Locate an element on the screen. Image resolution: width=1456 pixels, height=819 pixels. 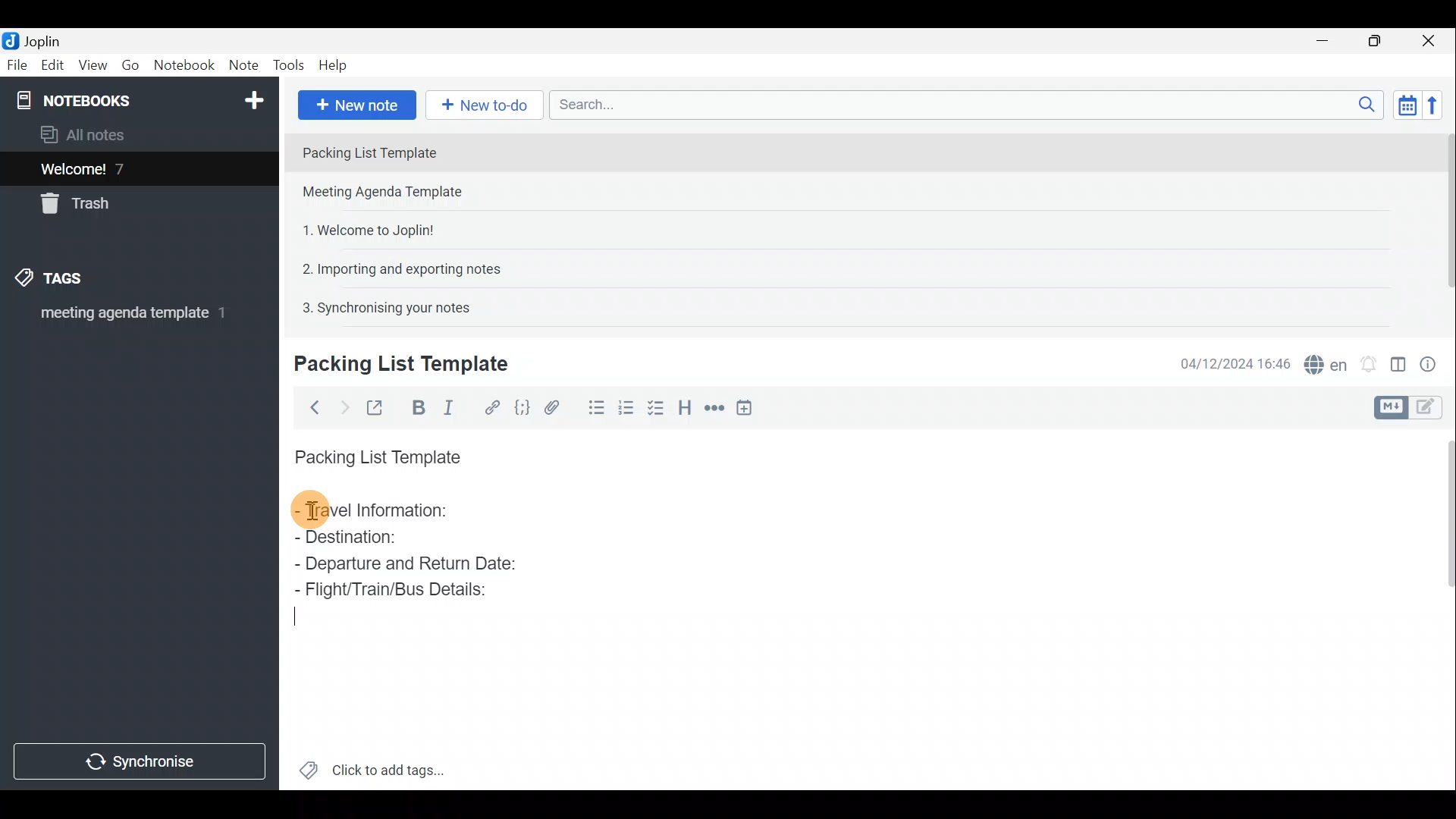
Close is located at coordinates (1433, 40).